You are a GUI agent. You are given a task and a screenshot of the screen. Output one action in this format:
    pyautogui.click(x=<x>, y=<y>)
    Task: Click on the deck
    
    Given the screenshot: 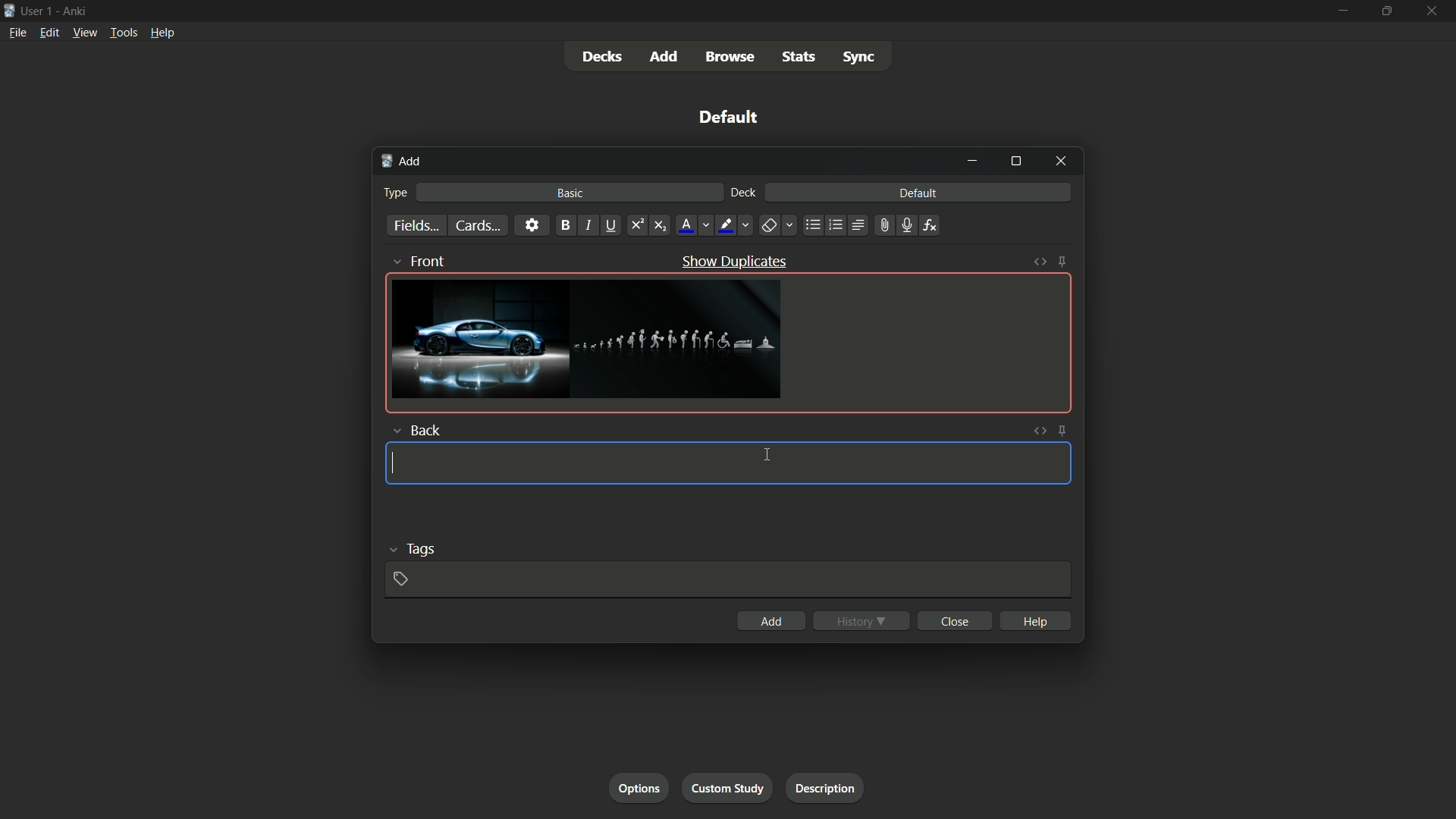 What is the action you would take?
    pyautogui.click(x=744, y=193)
    